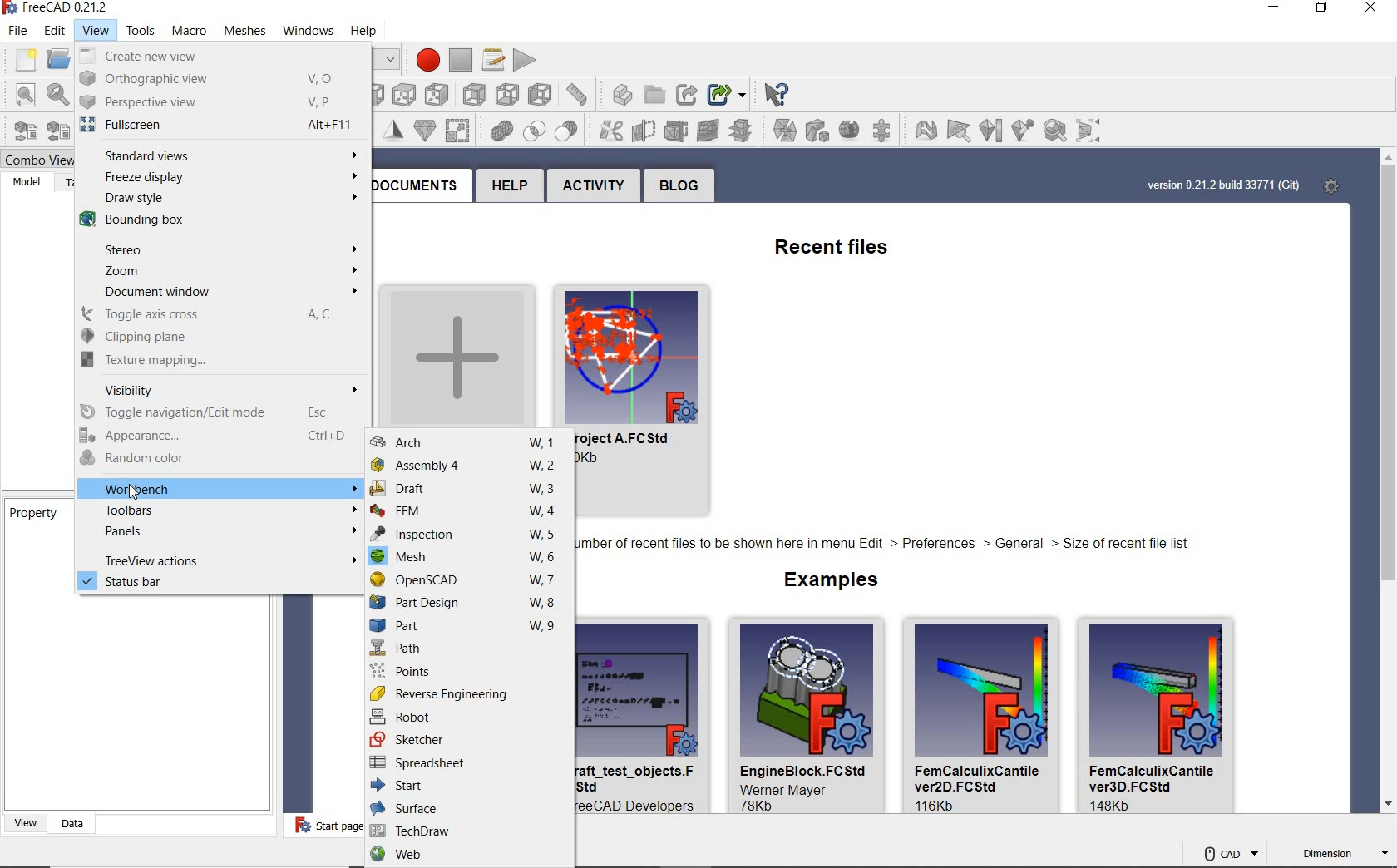 The image size is (1397, 868). What do you see at coordinates (612, 130) in the screenshot?
I see `trim mesh` at bounding box center [612, 130].